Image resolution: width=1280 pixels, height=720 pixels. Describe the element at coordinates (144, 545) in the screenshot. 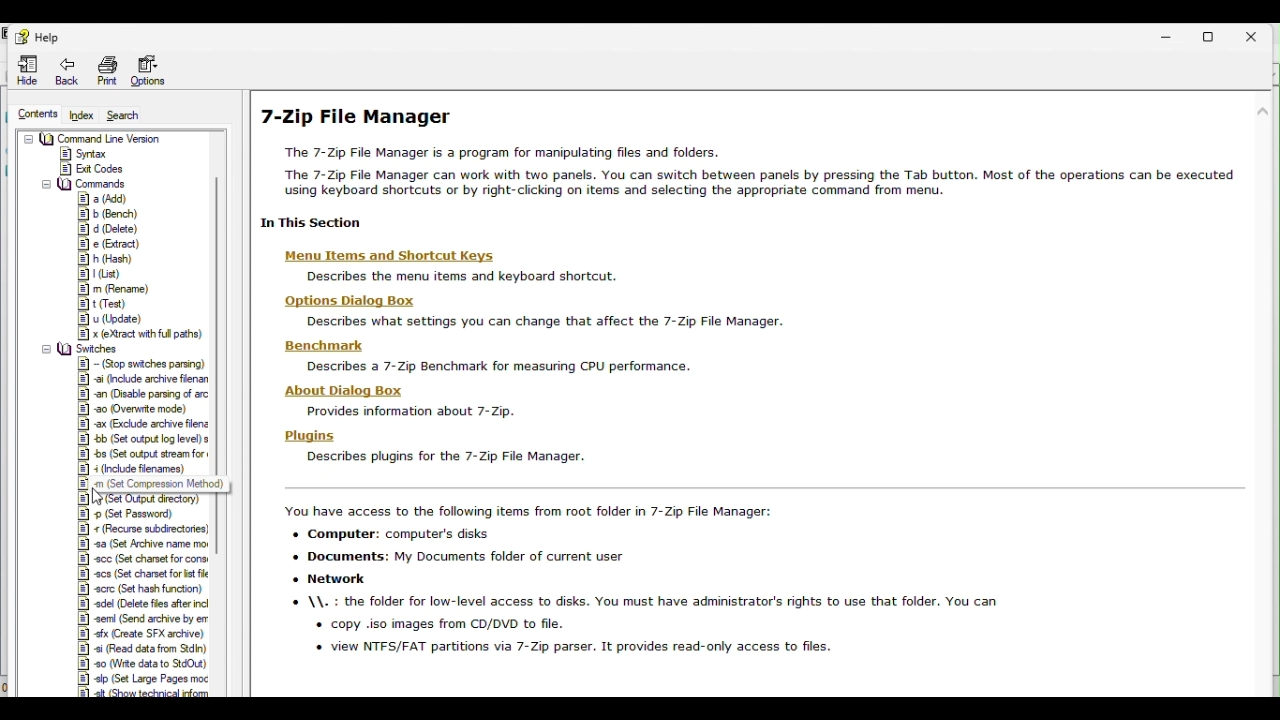

I see `set archive name` at that location.